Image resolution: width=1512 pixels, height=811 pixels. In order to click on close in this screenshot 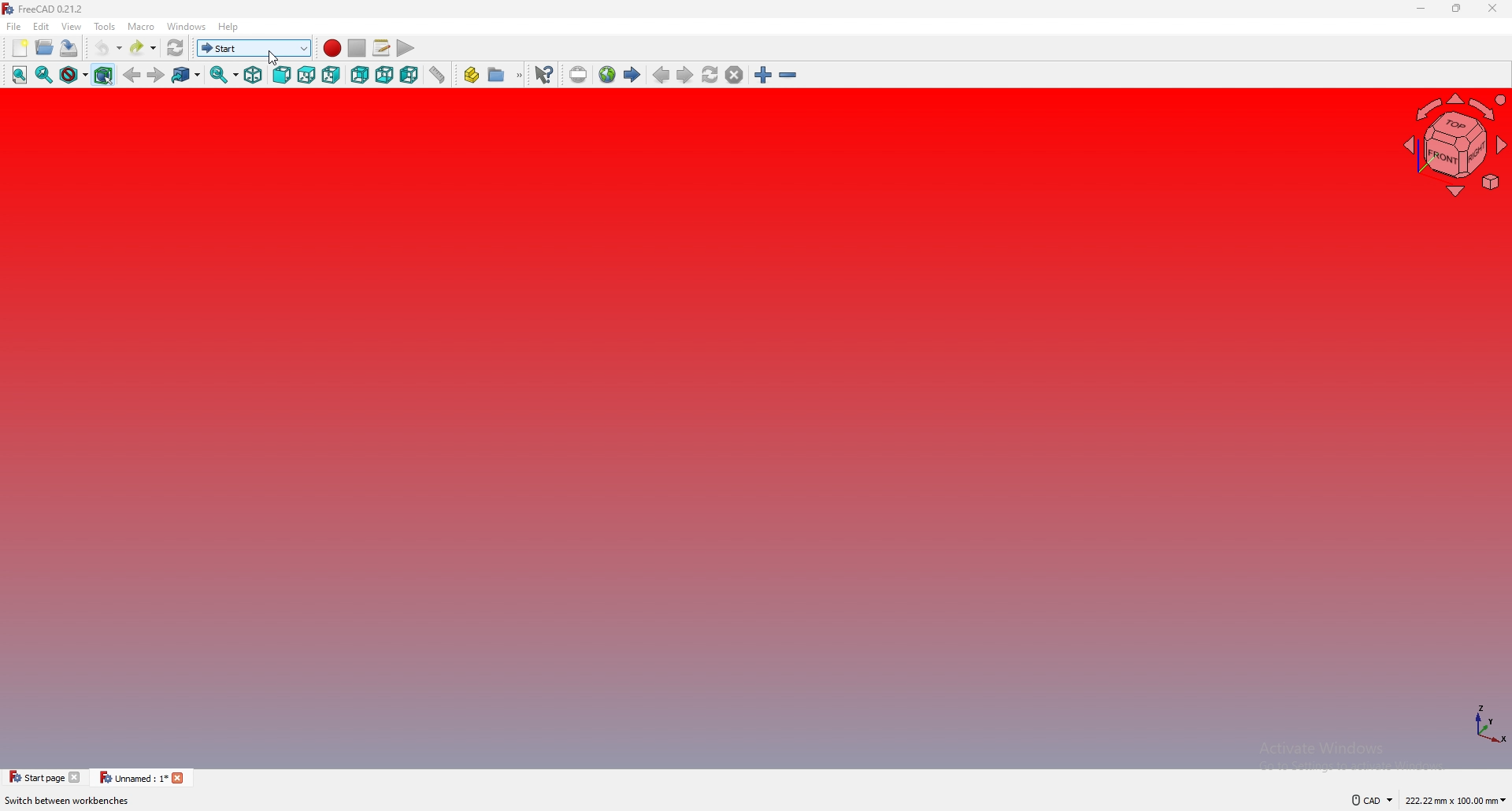, I will do `click(1492, 8)`.